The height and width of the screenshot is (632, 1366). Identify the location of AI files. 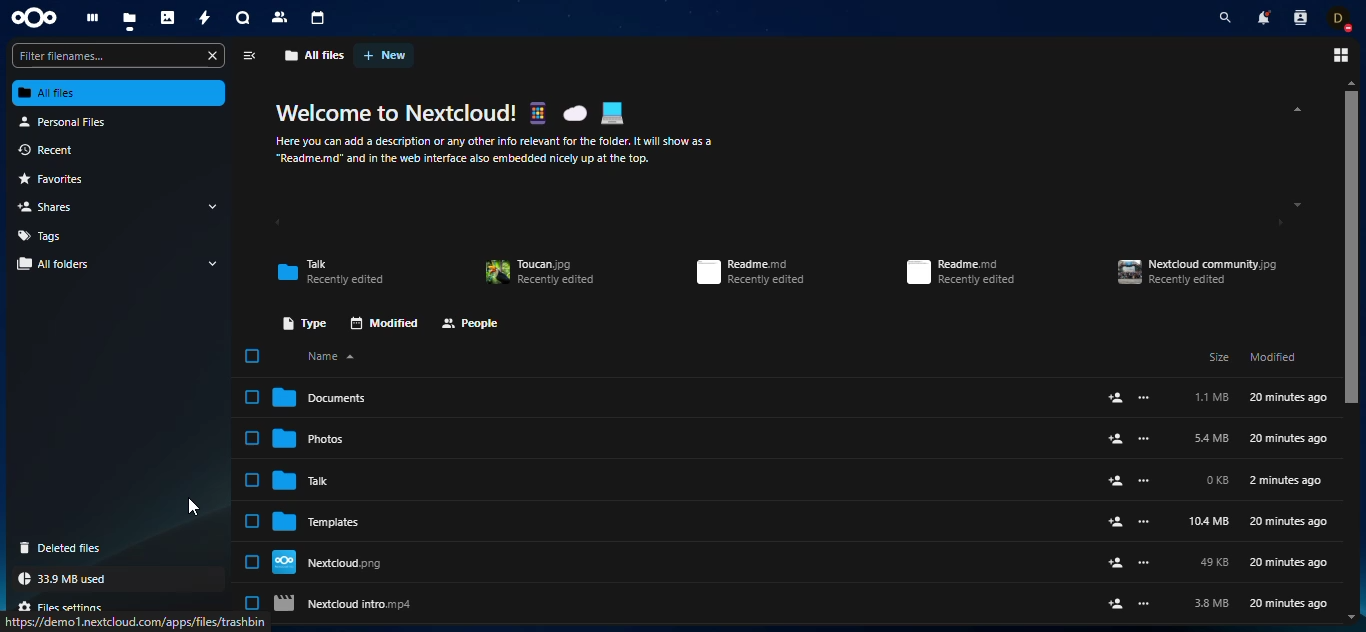
(120, 94).